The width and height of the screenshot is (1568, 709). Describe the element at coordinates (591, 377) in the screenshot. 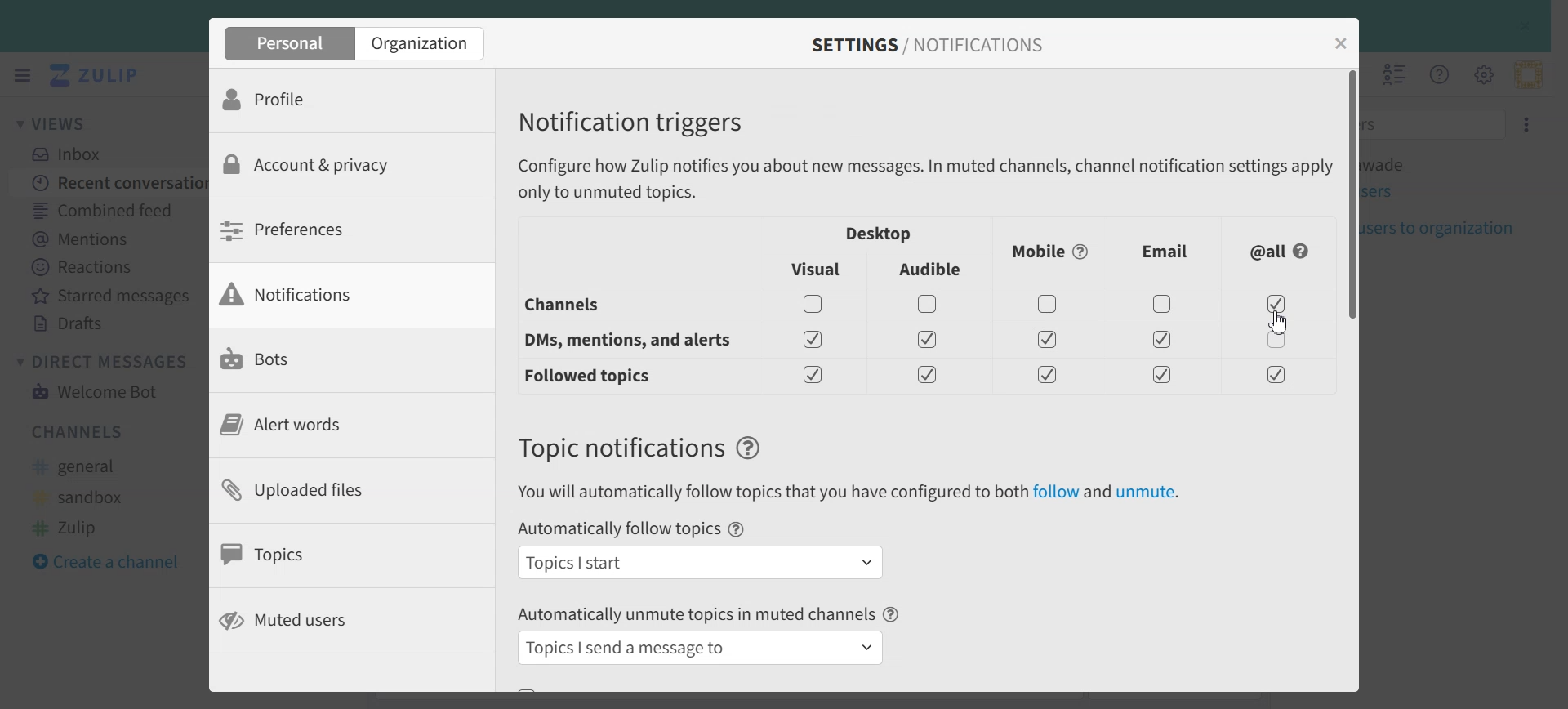

I see `Followed topis` at that location.